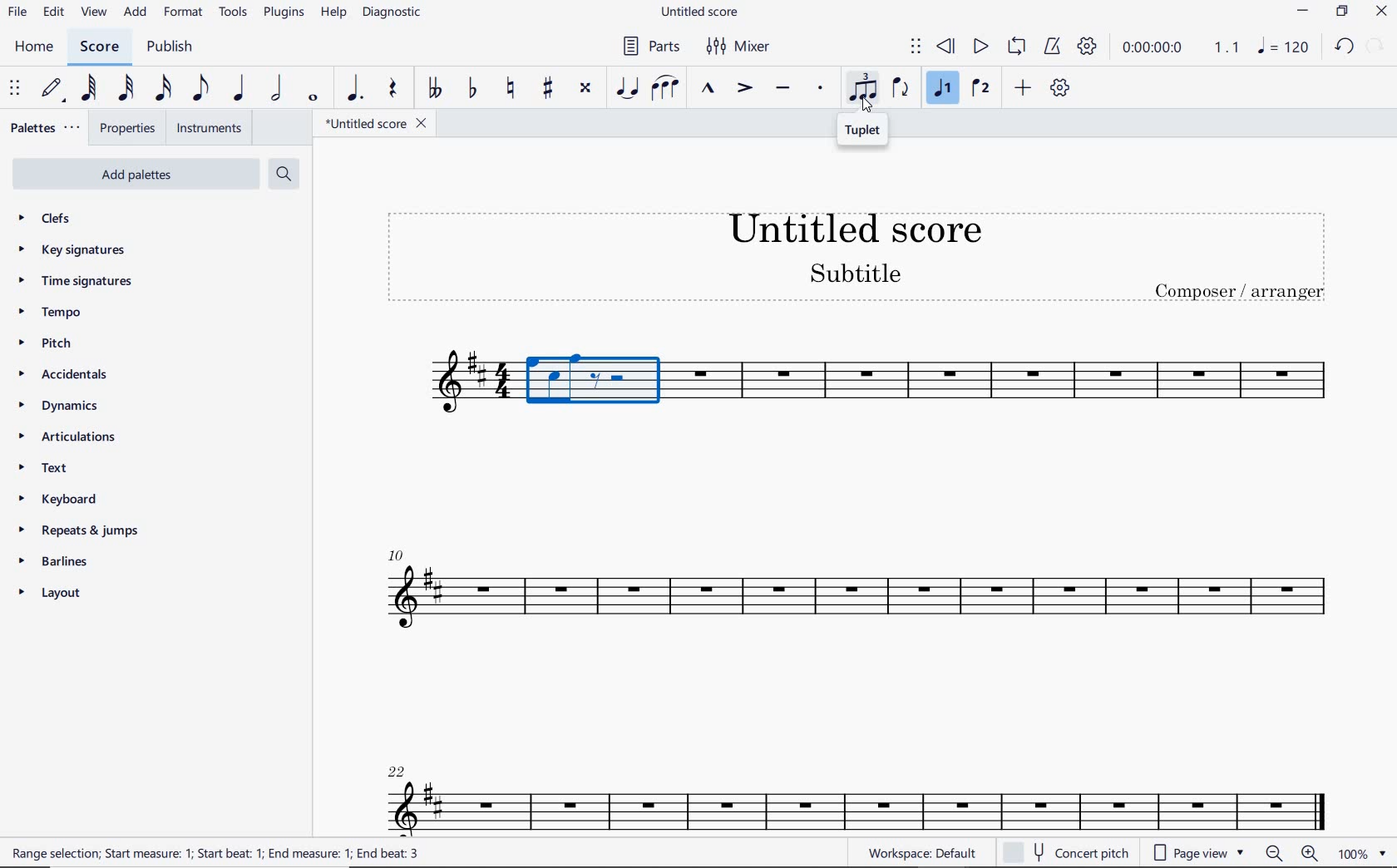  What do you see at coordinates (125, 89) in the screenshot?
I see `32ND NOTE` at bounding box center [125, 89].